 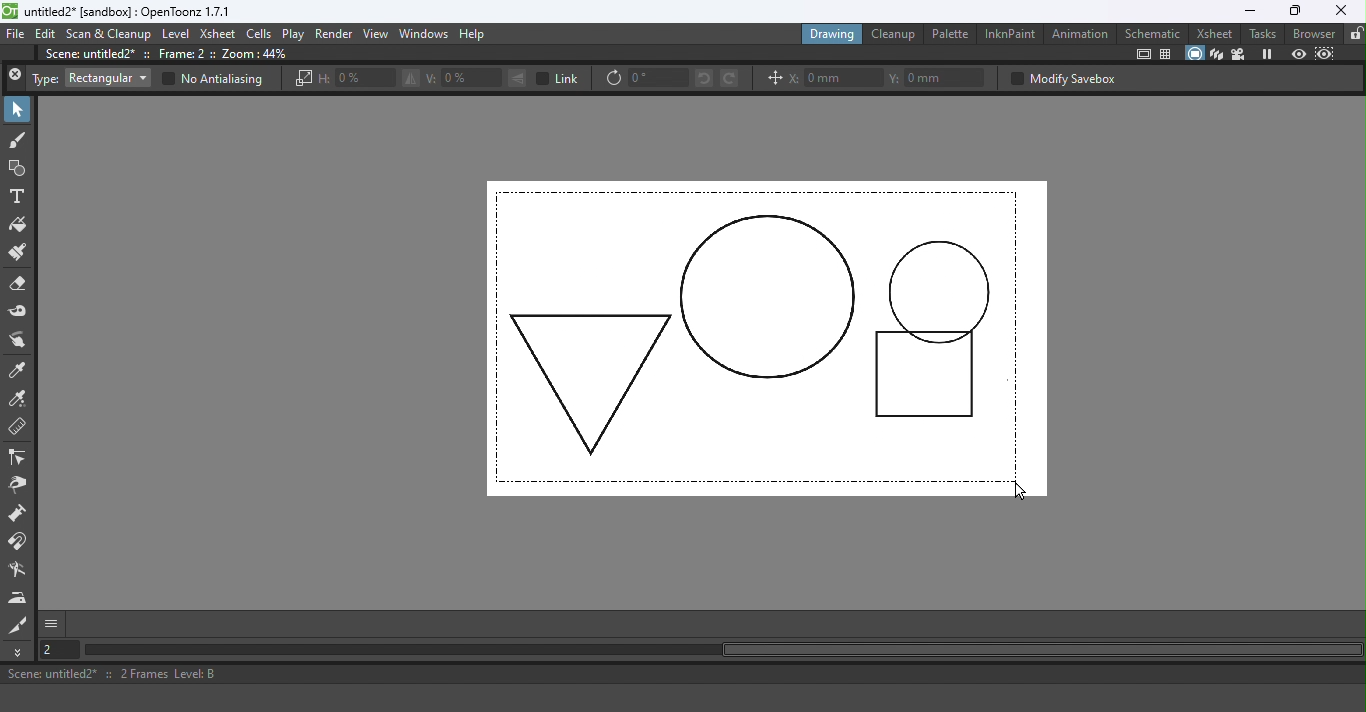 What do you see at coordinates (481, 33) in the screenshot?
I see `Help` at bounding box center [481, 33].